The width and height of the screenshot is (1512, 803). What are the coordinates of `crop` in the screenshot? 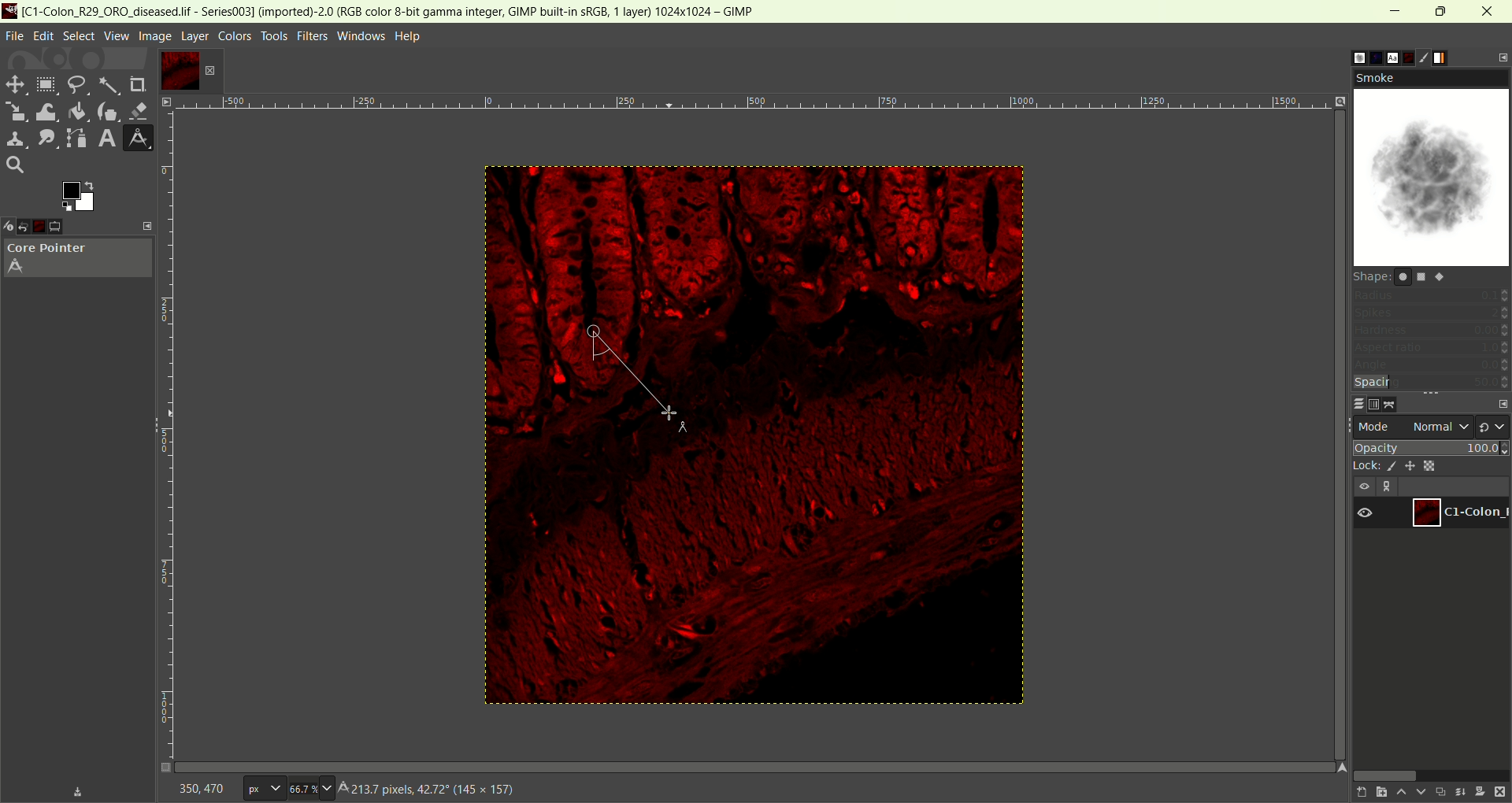 It's located at (139, 85).